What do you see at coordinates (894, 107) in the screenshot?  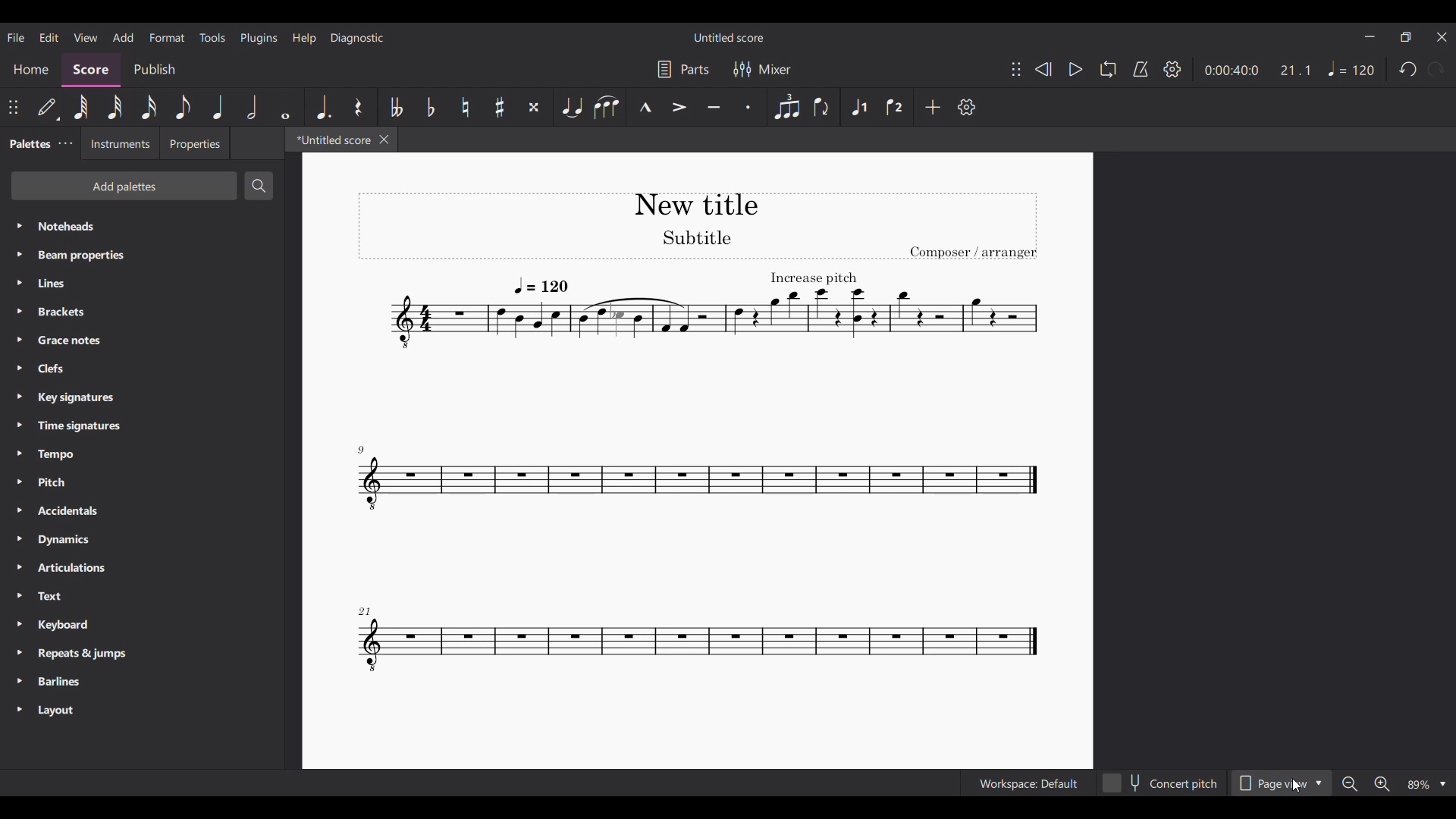 I see `Voice 2` at bounding box center [894, 107].